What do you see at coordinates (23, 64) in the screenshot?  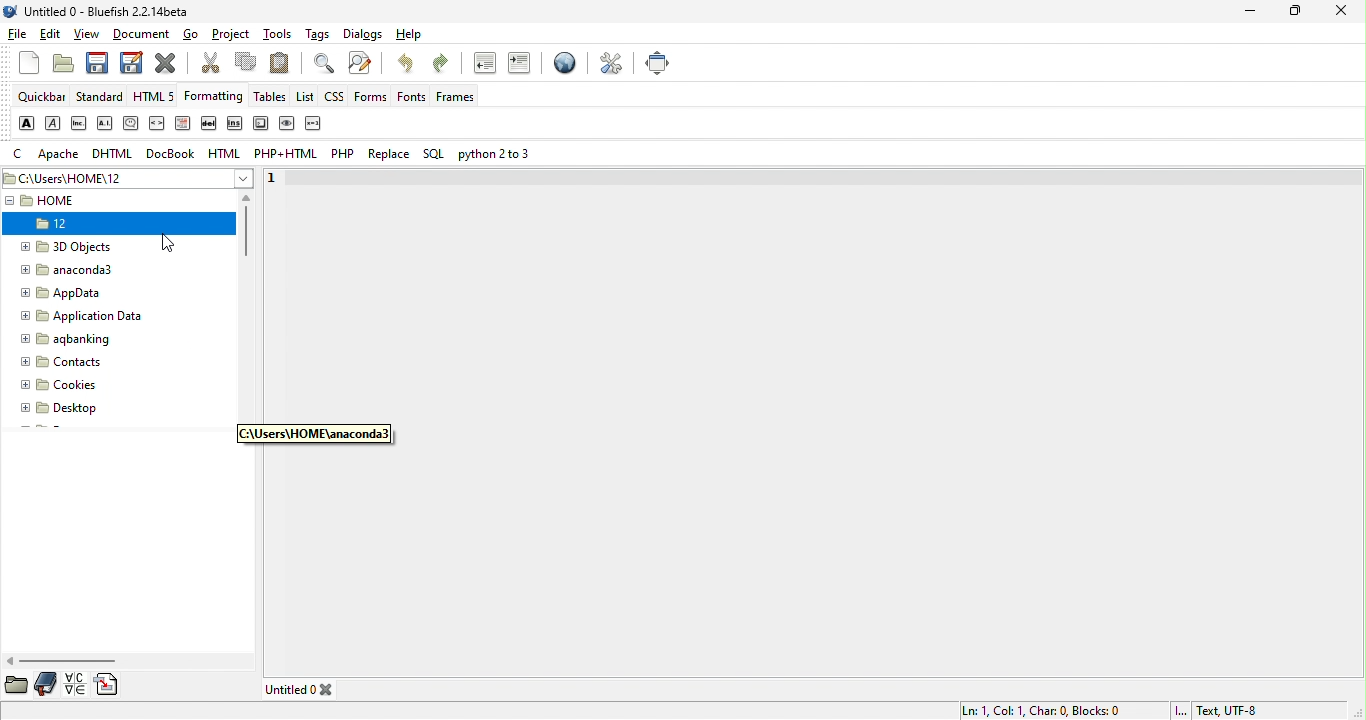 I see `new` at bounding box center [23, 64].